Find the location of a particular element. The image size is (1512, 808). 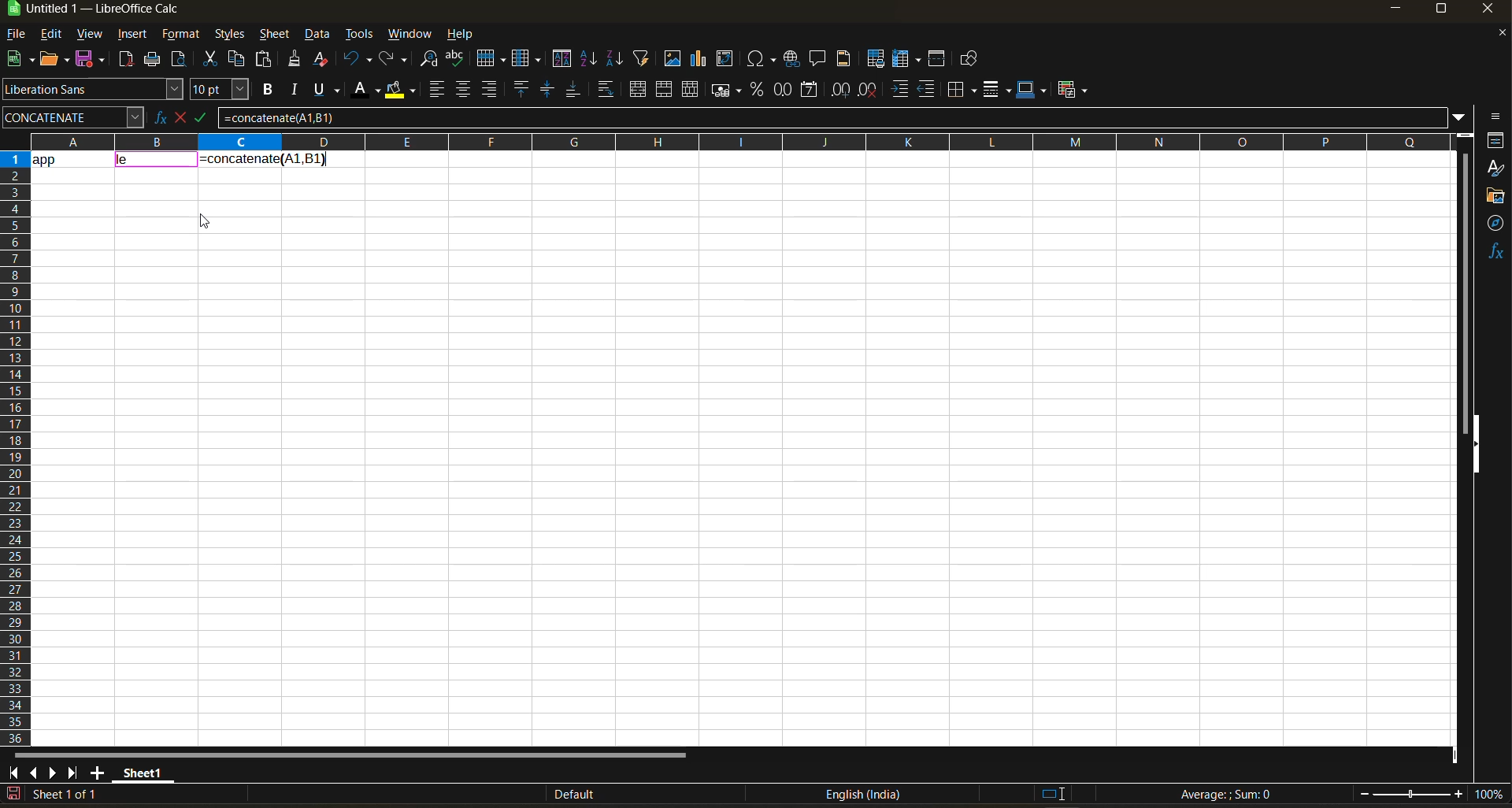

align bottom is located at coordinates (574, 89).